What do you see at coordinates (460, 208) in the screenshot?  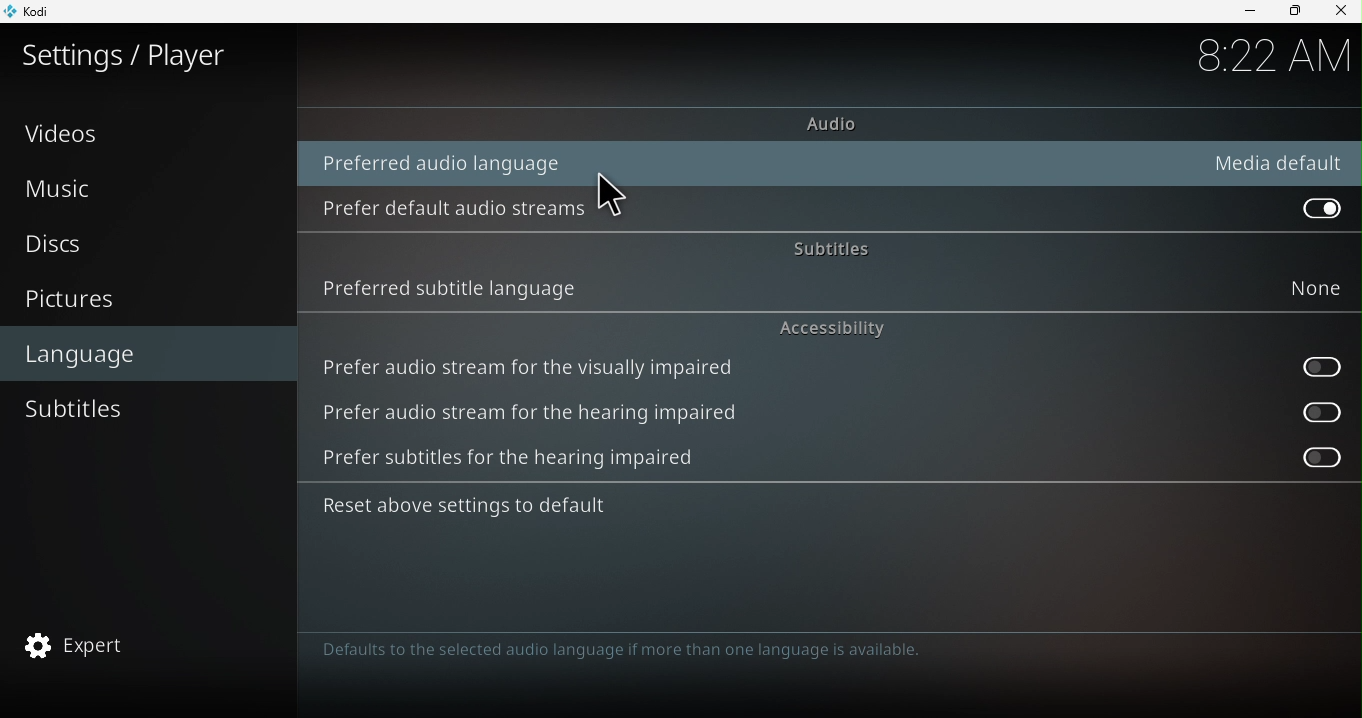 I see `Prefer default audio streams` at bounding box center [460, 208].